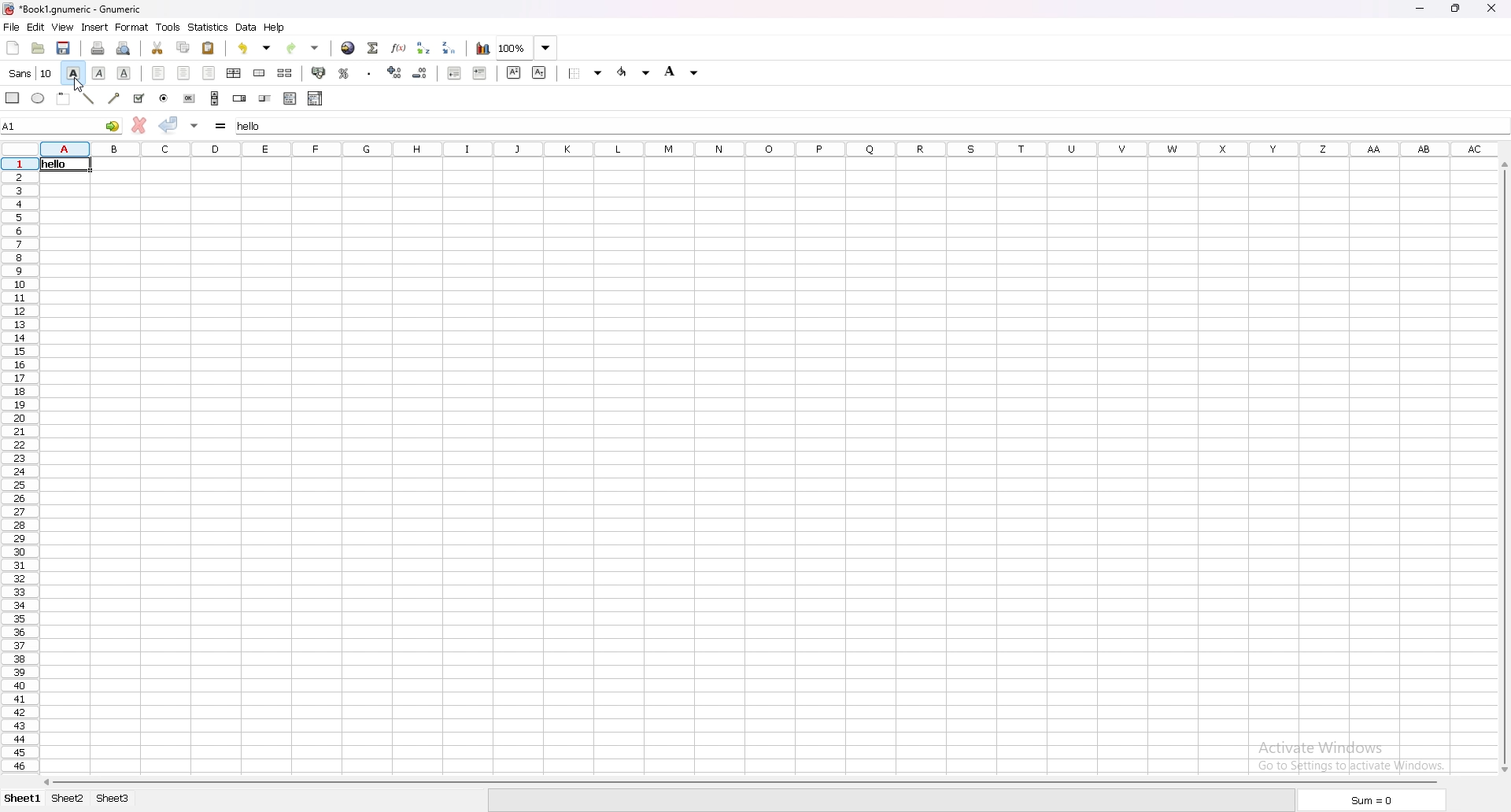 The image size is (1511, 812). Describe the element at coordinates (348, 48) in the screenshot. I see `hyperlink` at that location.